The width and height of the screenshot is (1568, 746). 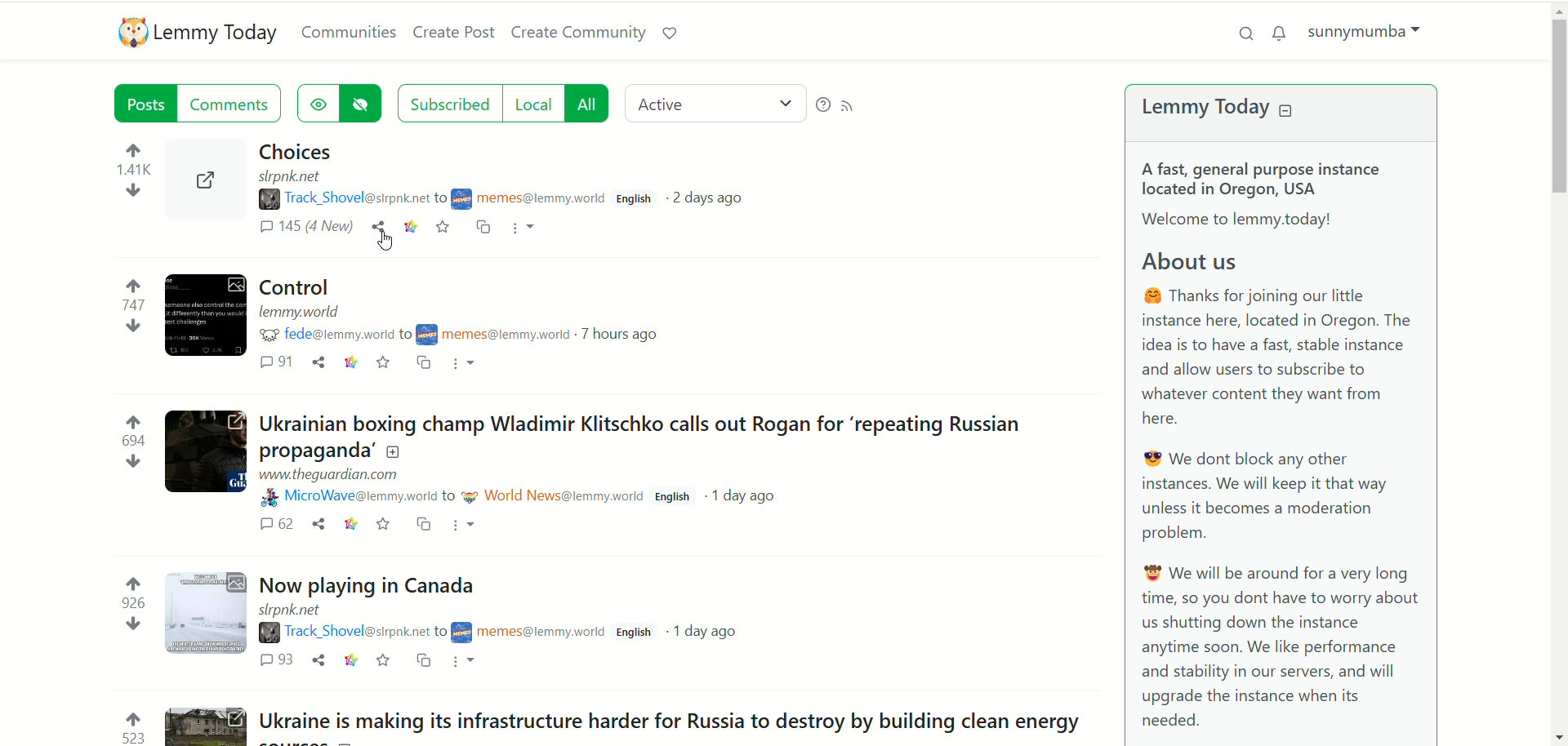 I want to click on URL, so click(x=292, y=175).